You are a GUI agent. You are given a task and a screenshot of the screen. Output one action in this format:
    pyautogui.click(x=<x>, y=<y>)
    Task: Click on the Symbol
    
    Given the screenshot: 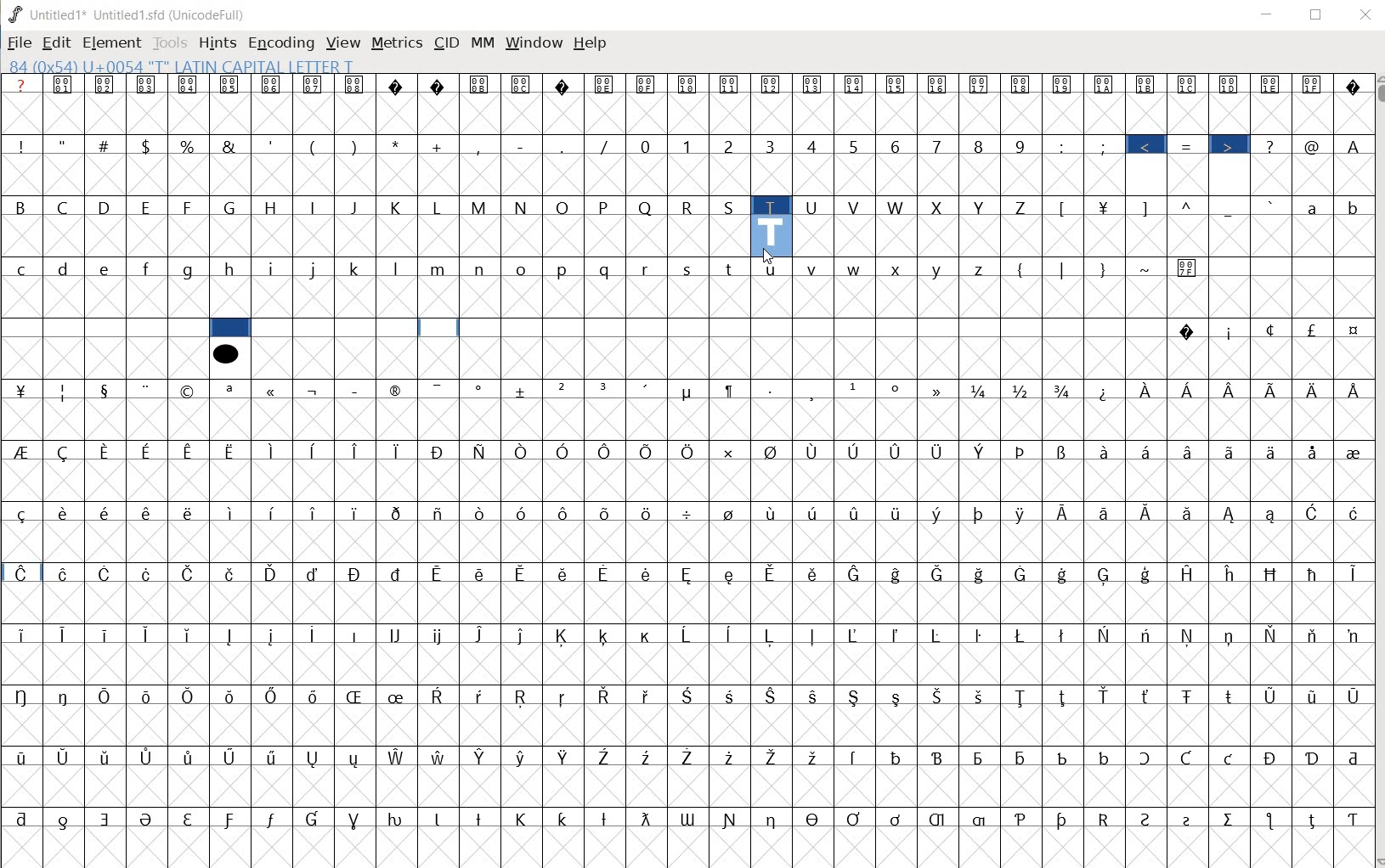 What is the action you would take?
    pyautogui.click(x=605, y=637)
    